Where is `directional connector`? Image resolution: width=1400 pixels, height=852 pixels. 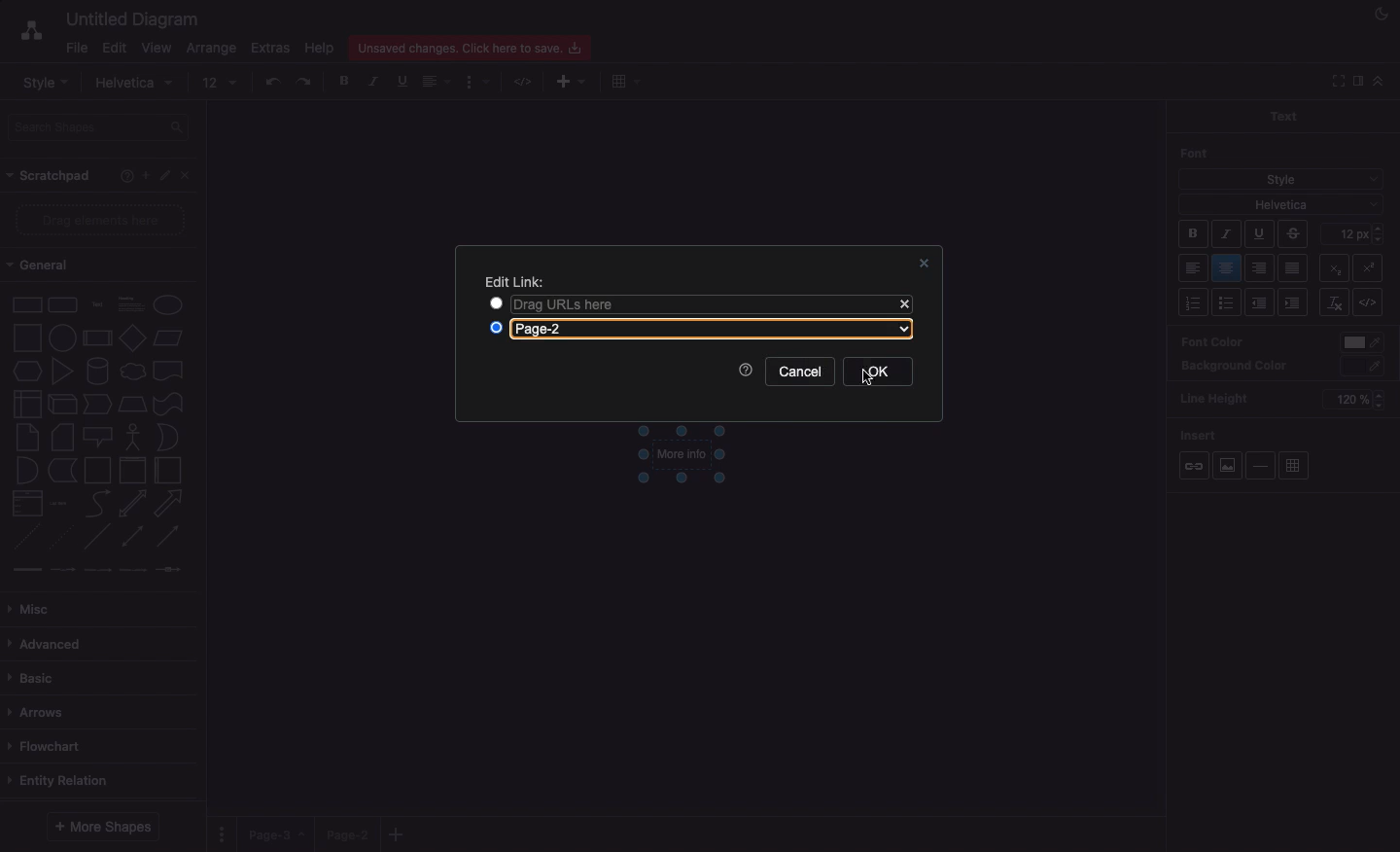 directional connector is located at coordinates (168, 537).